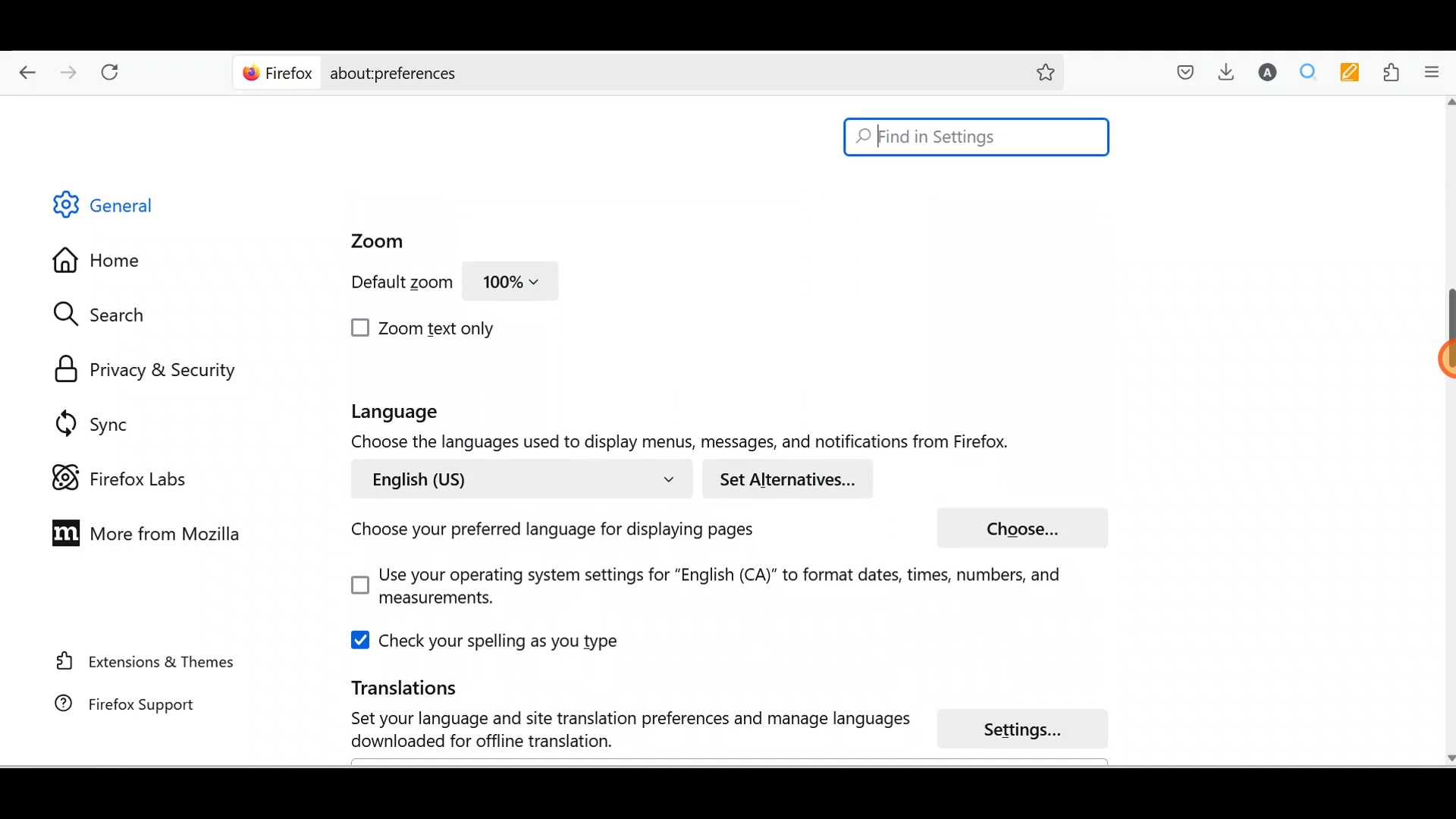  Describe the element at coordinates (108, 264) in the screenshot. I see `Home` at that location.